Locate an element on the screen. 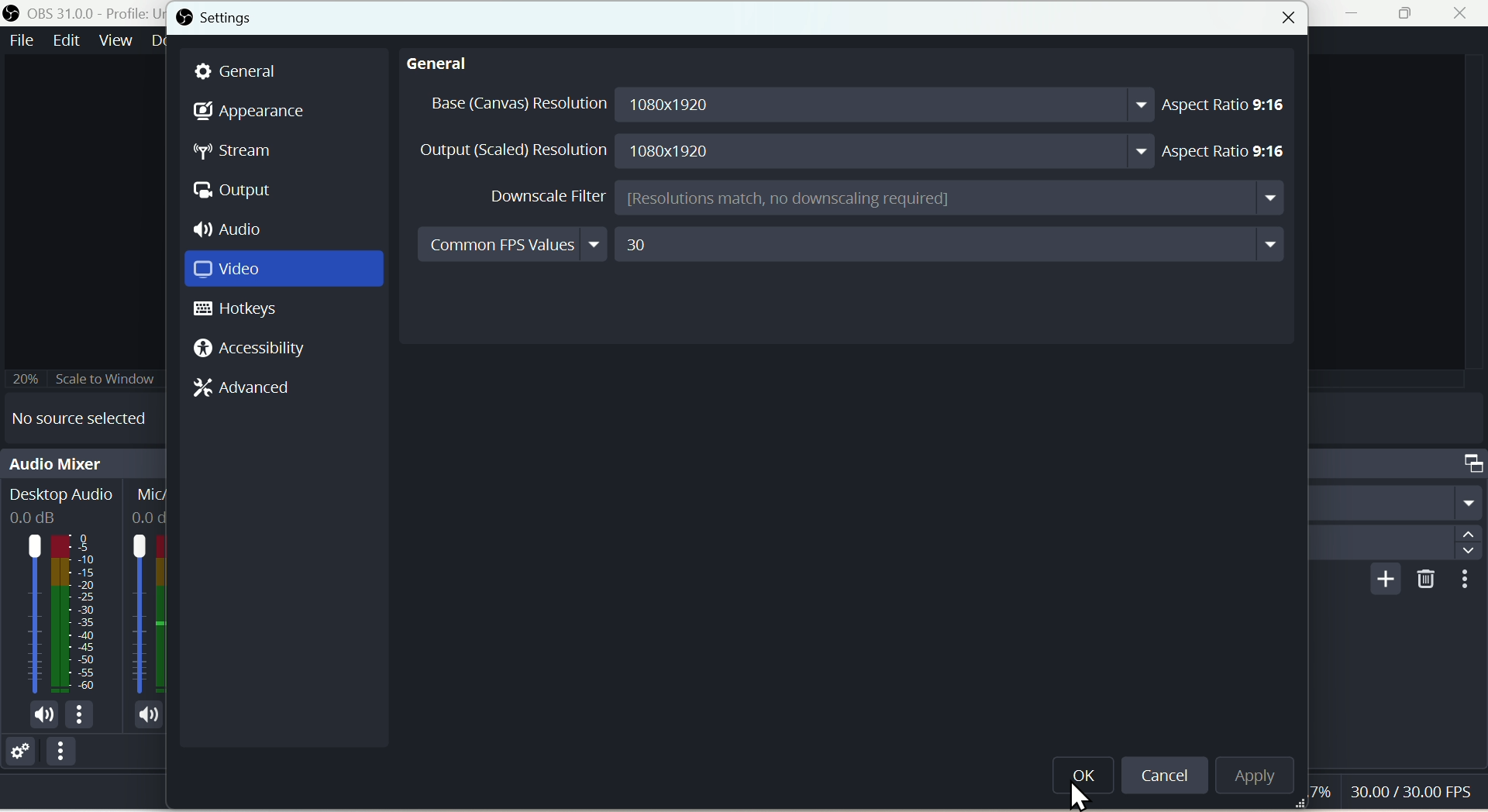 The height and width of the screenshot is (812, 1488). Downscale Filter is located at coordinates (884, 198).